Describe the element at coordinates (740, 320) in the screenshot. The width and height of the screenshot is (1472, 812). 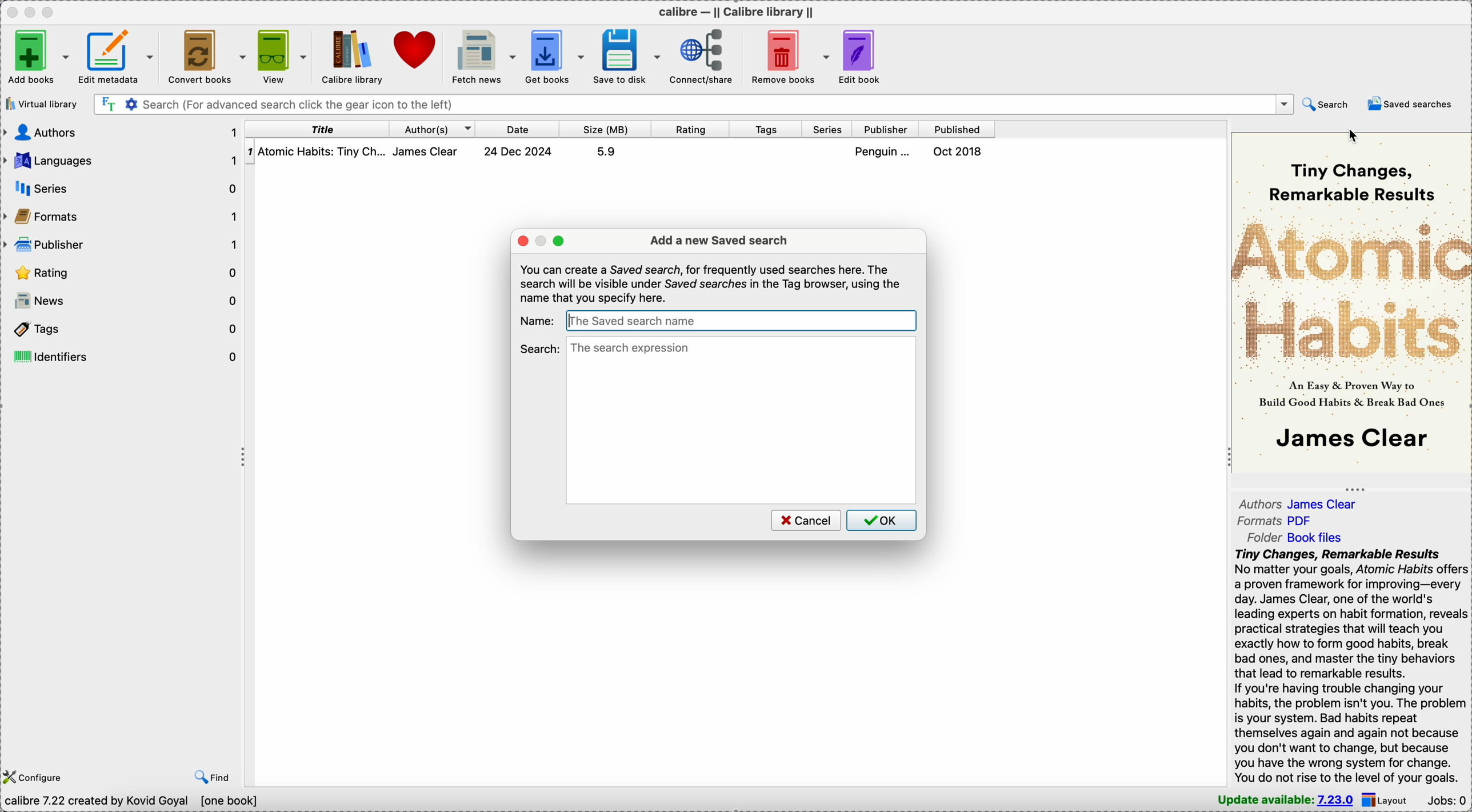
I see `the saved search name` at that location.